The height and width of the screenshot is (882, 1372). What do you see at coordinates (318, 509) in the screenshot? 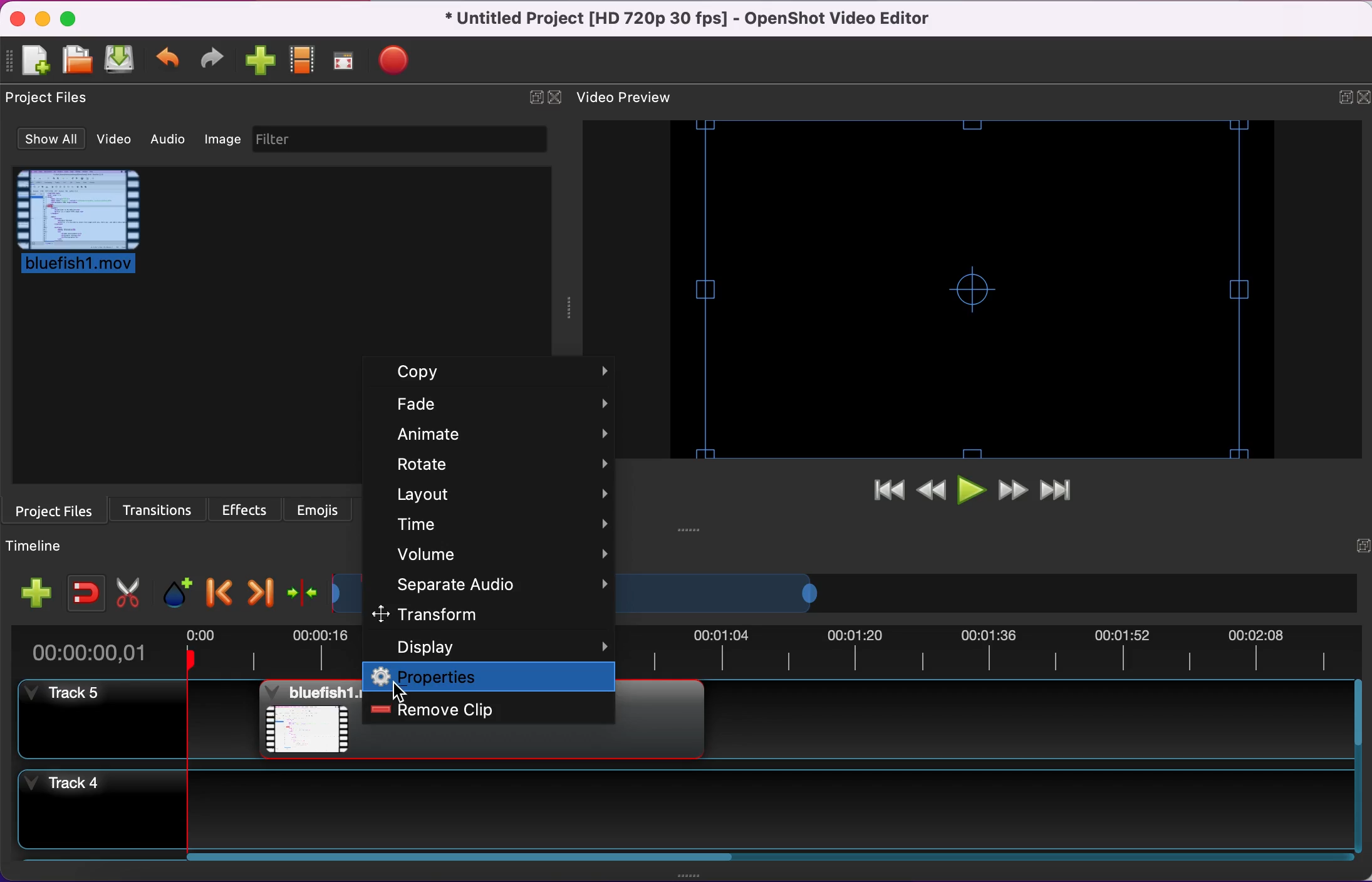
I see `emojis` at bounding box center [318, 509].